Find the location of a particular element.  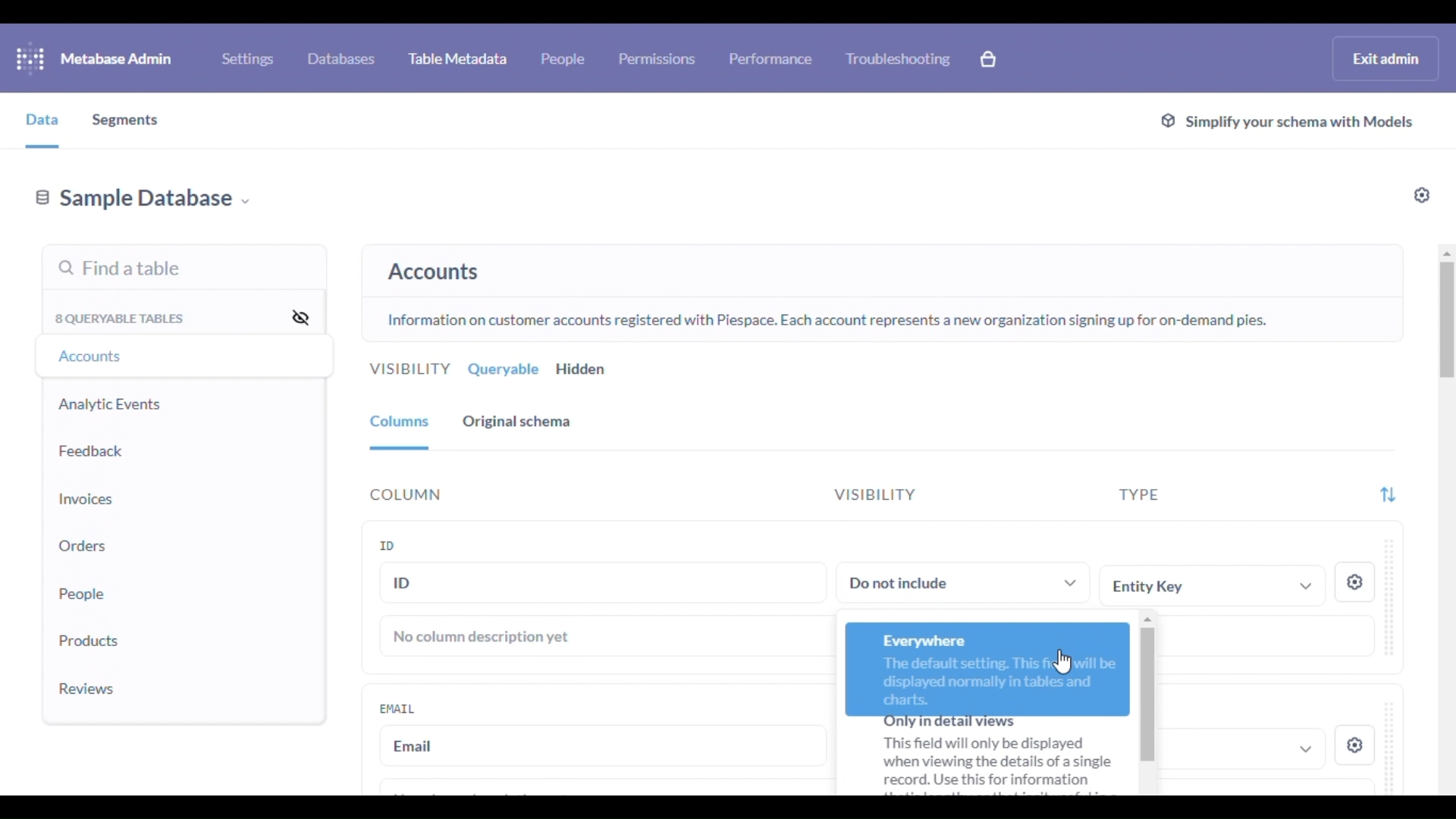

8 queryable tables is located at coordinates (122, 318).